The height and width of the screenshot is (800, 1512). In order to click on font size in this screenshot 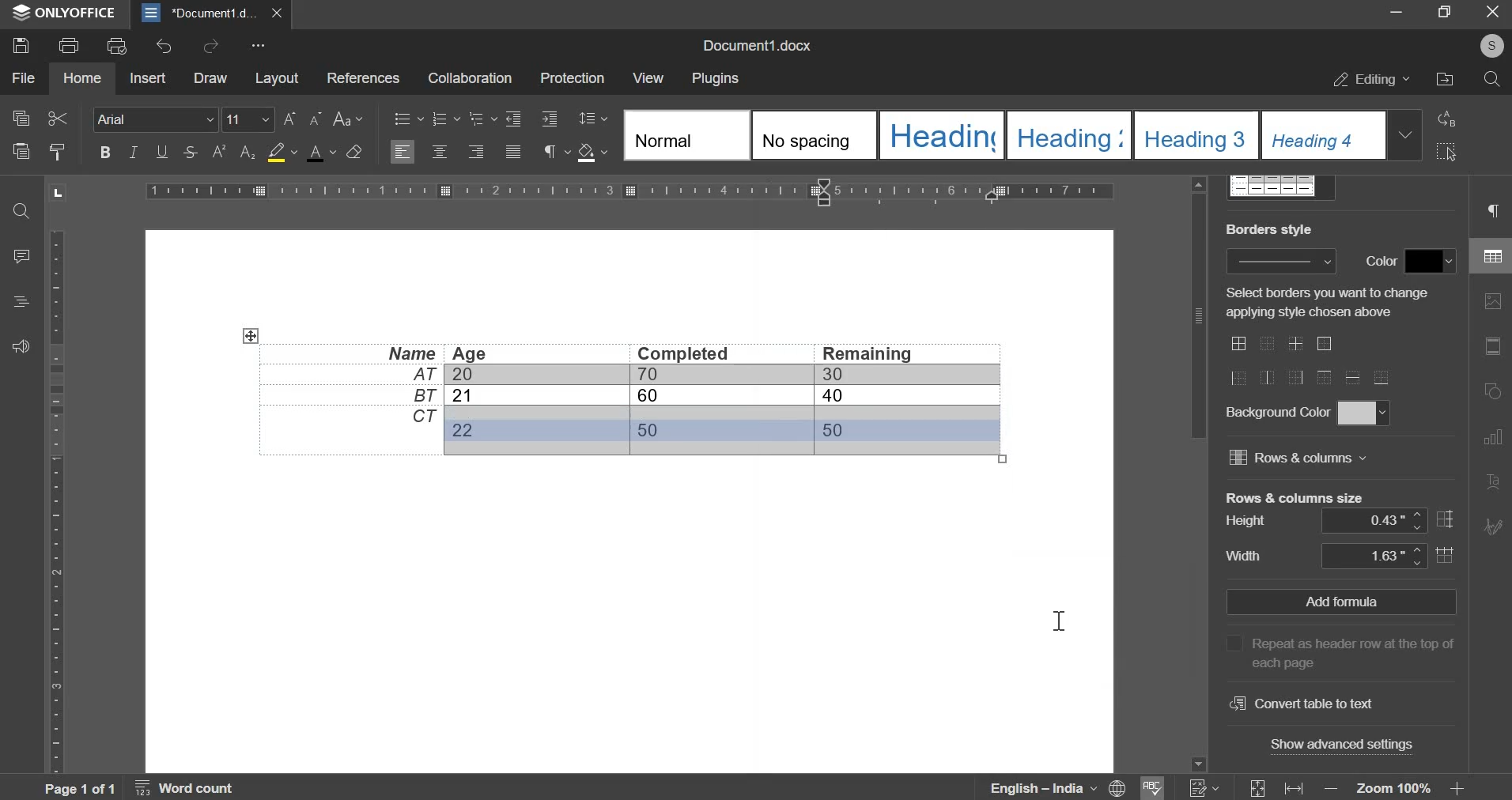, I will do `click(237, 115)`.